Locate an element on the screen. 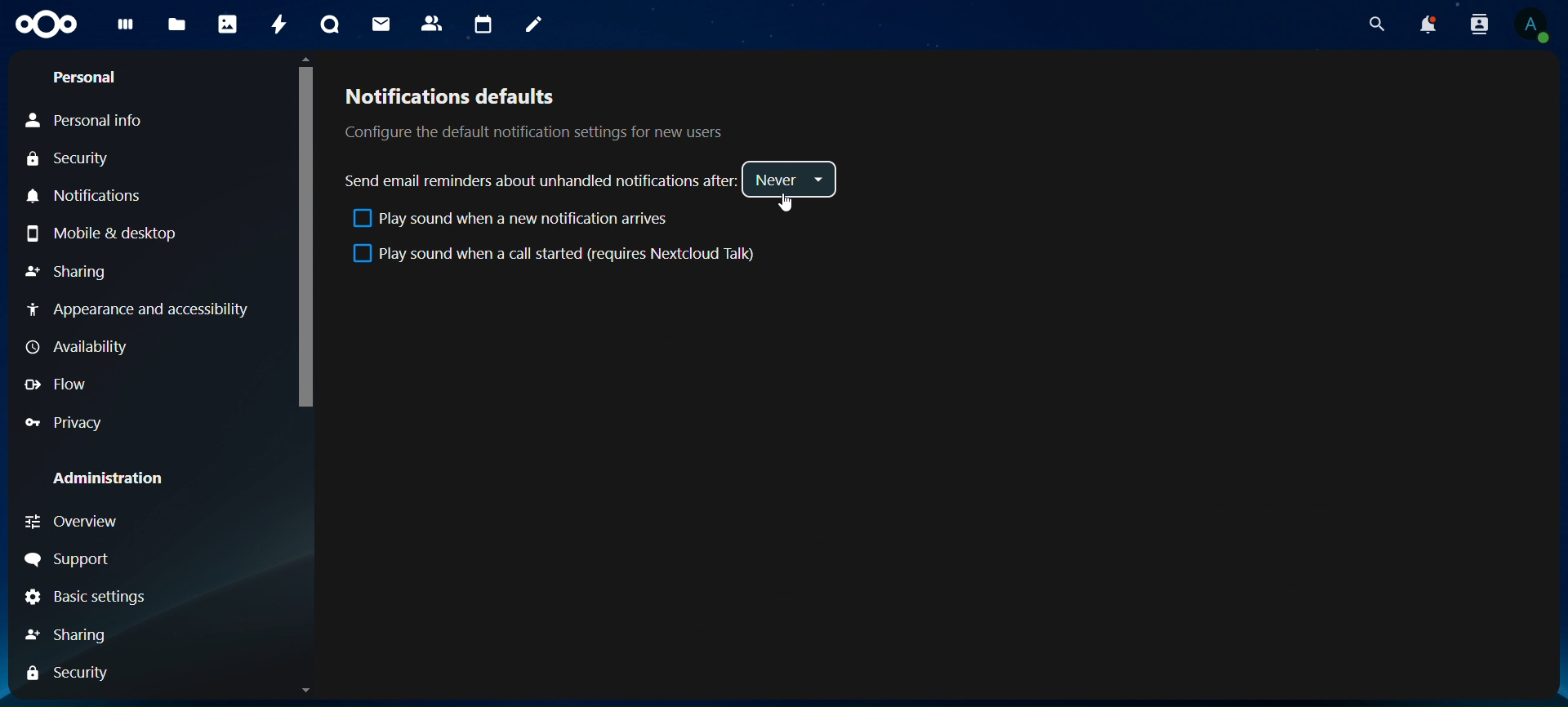 This screenshot has height=707, width=1568. Overview is located at coordinates (70, 522).